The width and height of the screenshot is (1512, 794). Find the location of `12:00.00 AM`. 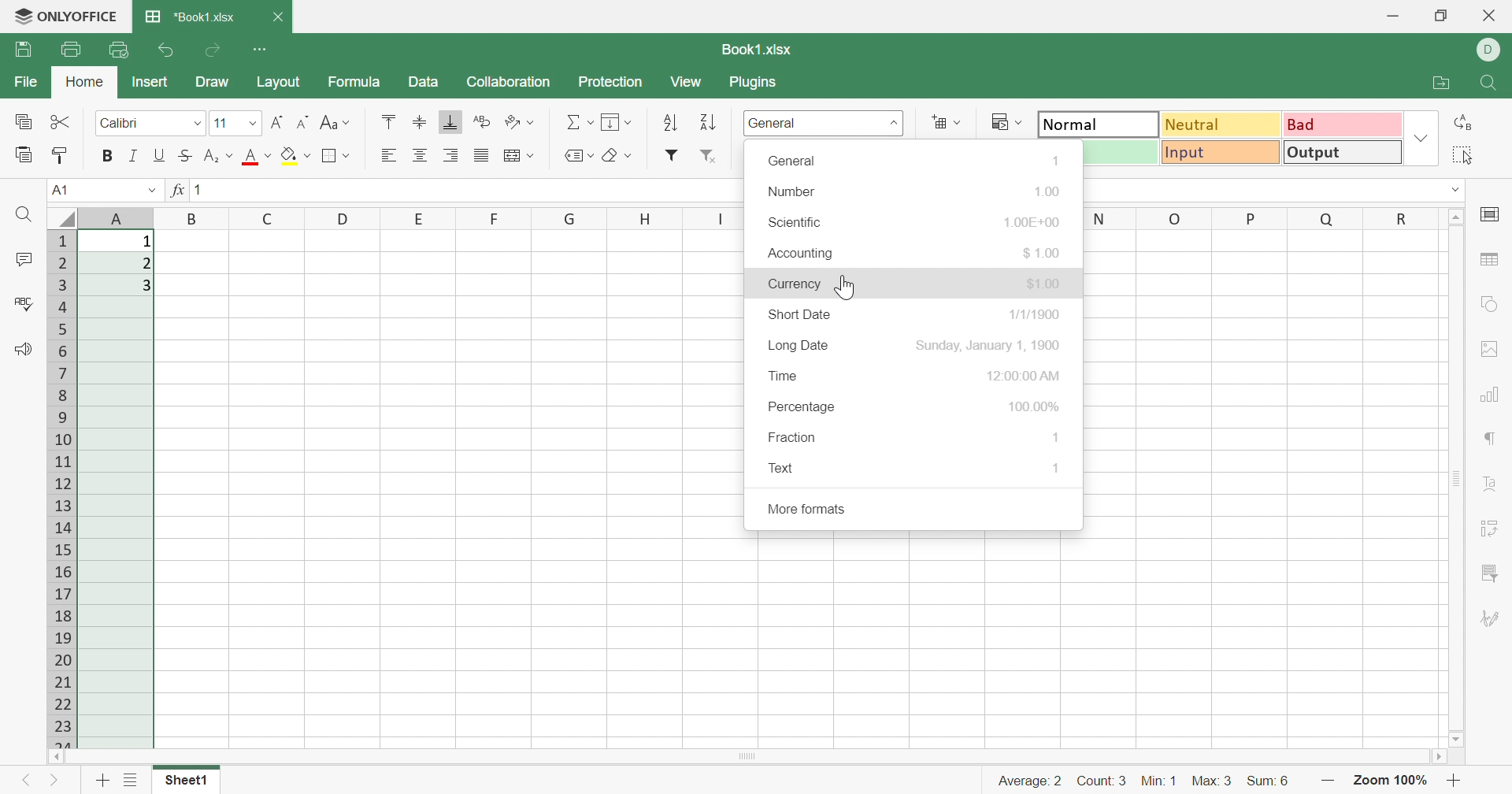

12:00.00 AM is located at coordinates (1025, 374).